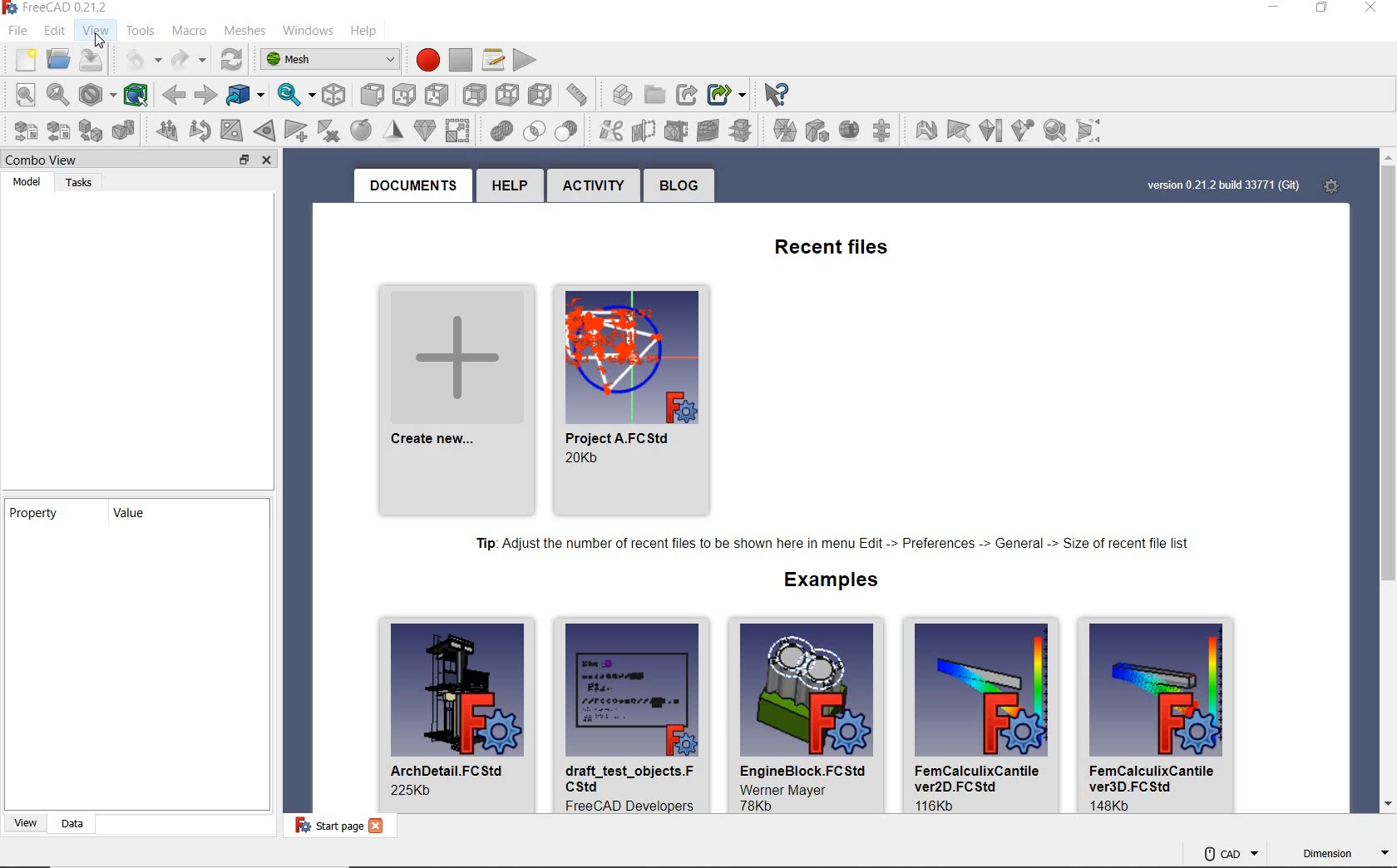 The width and height of the screenshot is (1397, 868). I want to click on fit selection, so click(56, 94).